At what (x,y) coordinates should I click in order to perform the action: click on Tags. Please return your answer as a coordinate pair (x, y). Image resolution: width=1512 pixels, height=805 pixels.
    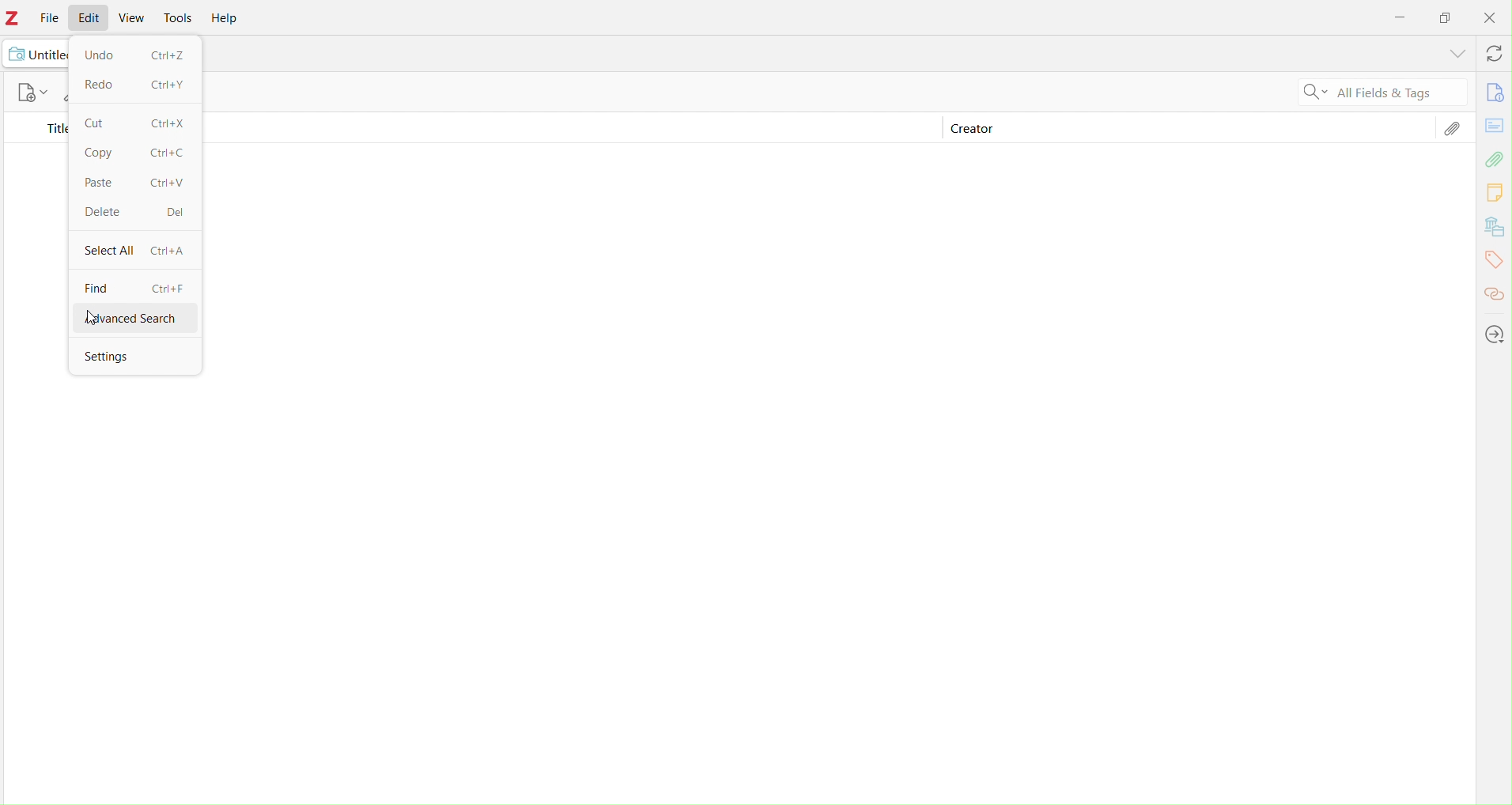
    Looking at the image, I should click on (1493, 260).